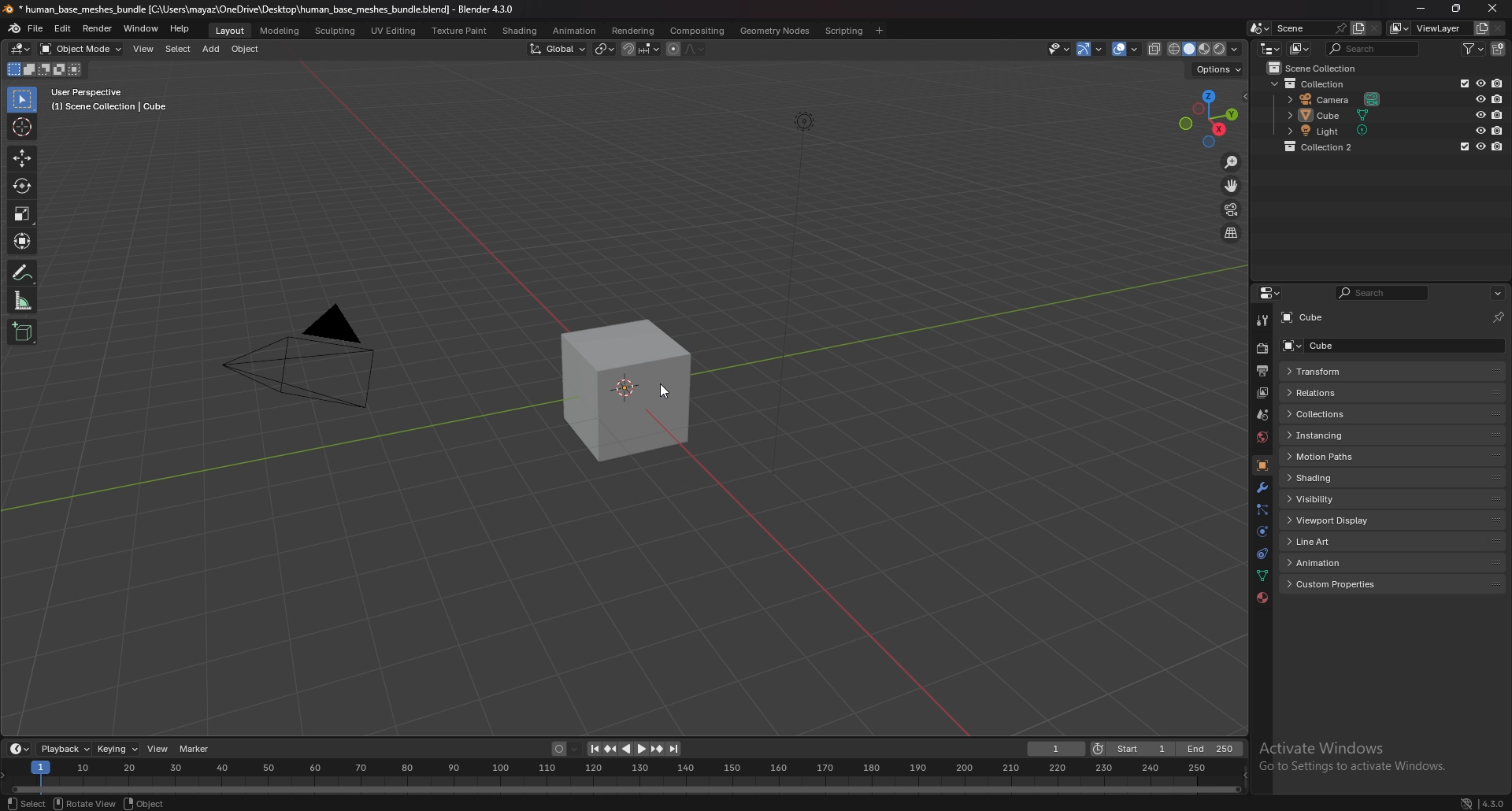 Image resolution: width=1512 pixels, height=811 pixels. Describe the element at coordinates (63, 30) in the screenshot. I see `edit` at that location.